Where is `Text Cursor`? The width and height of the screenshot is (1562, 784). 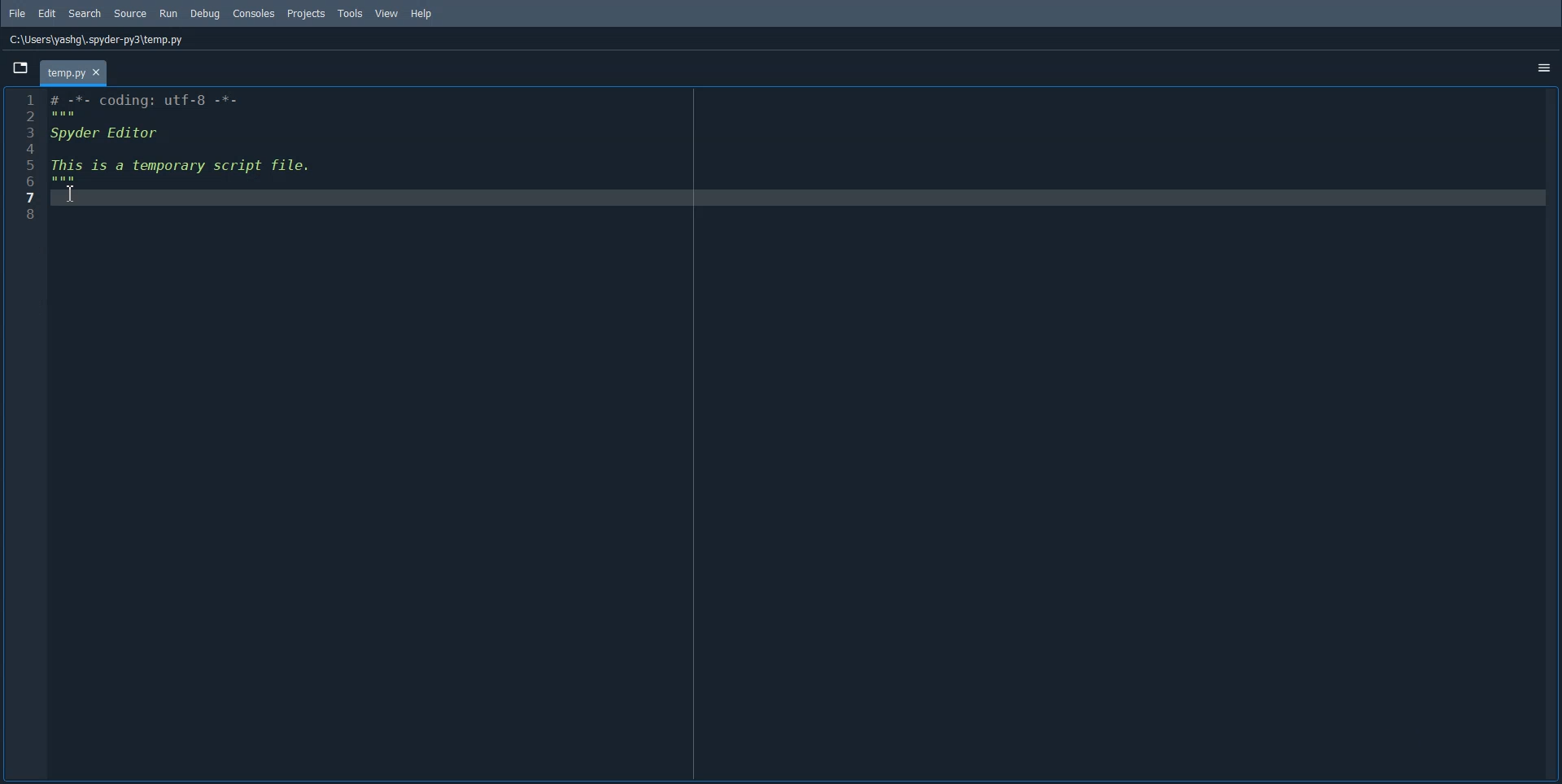 Text Cursor is located at coordinates (73, 194).